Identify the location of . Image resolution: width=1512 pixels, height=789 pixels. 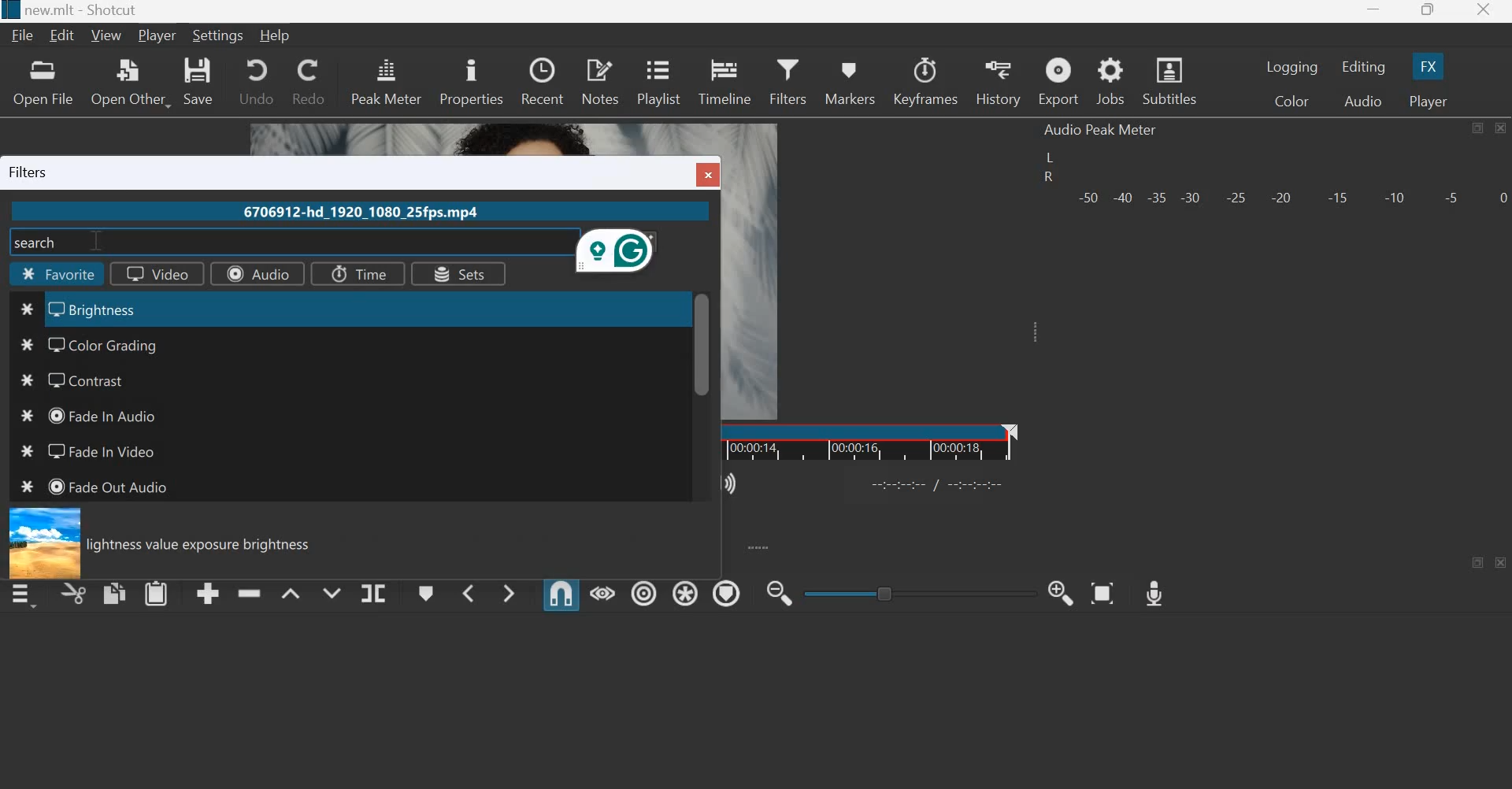
(22, 454).